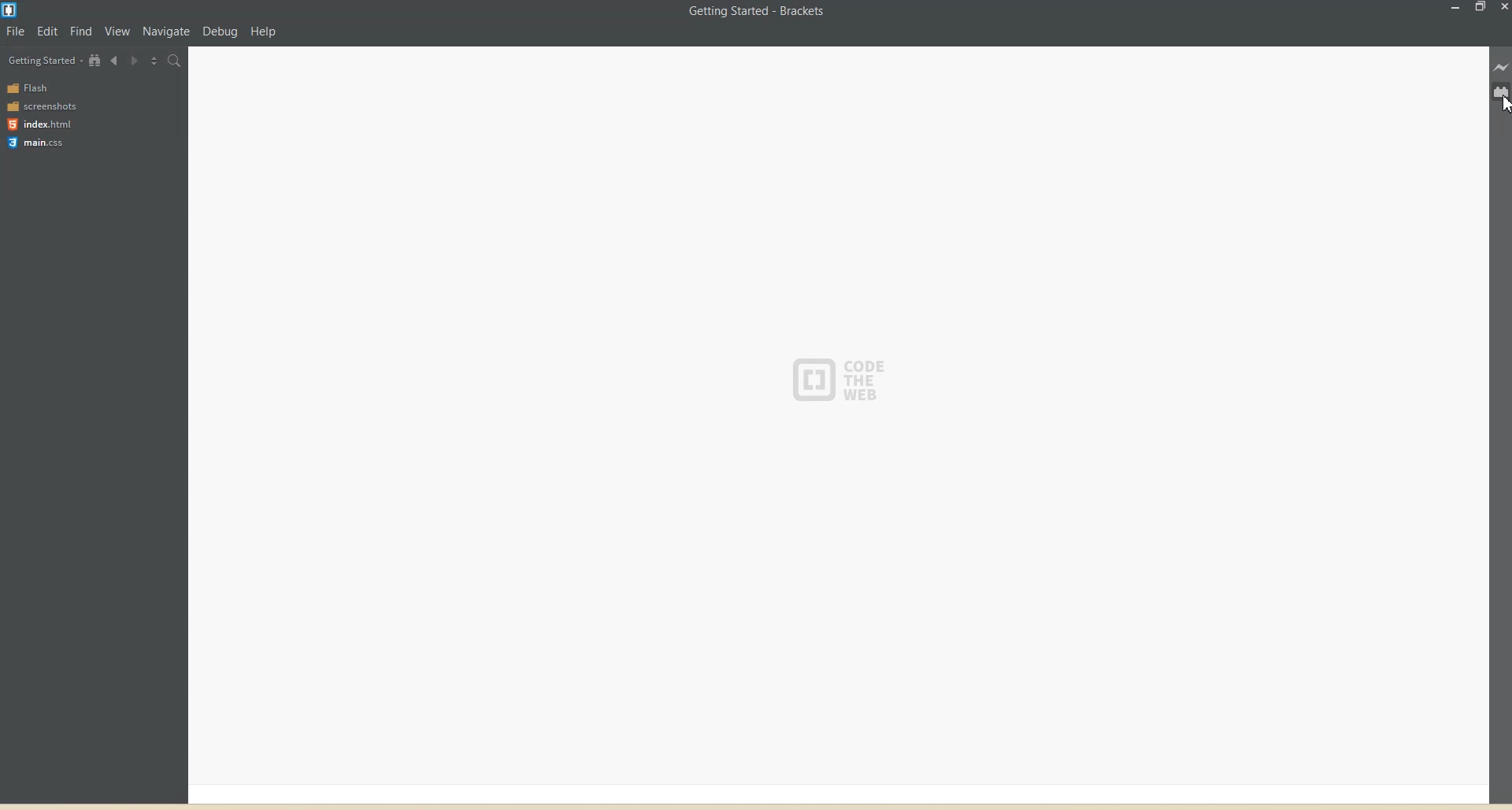 The image size is (1512, 810). Describe the element at coordinates (1480, 8) in the screenshot. I see `Maximize` at that location.